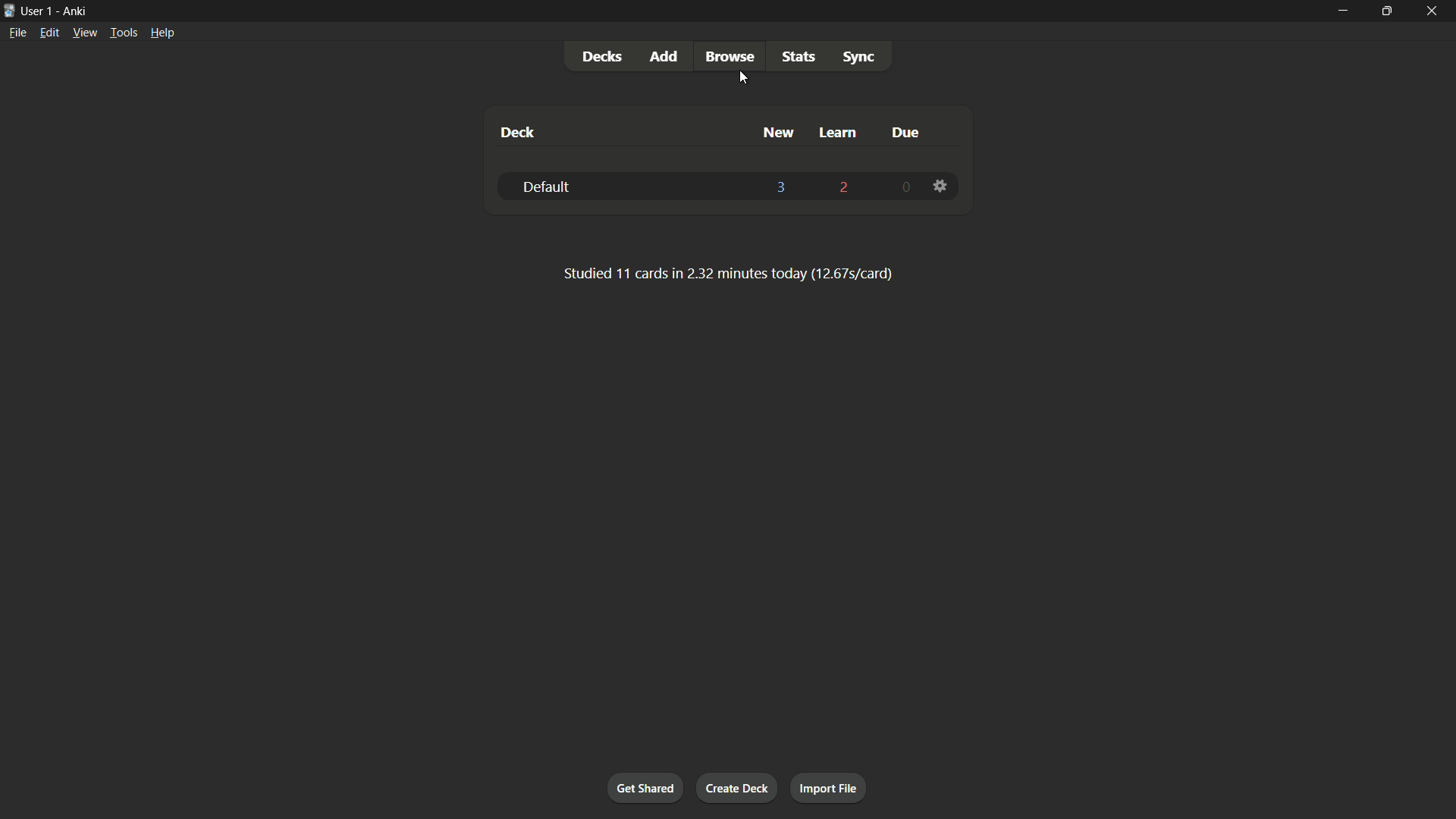 The width and height of the screenshot is (1456, 819). Describe the element at coordinates (738, 789) in the screenshot. I see `create deck` at that location.